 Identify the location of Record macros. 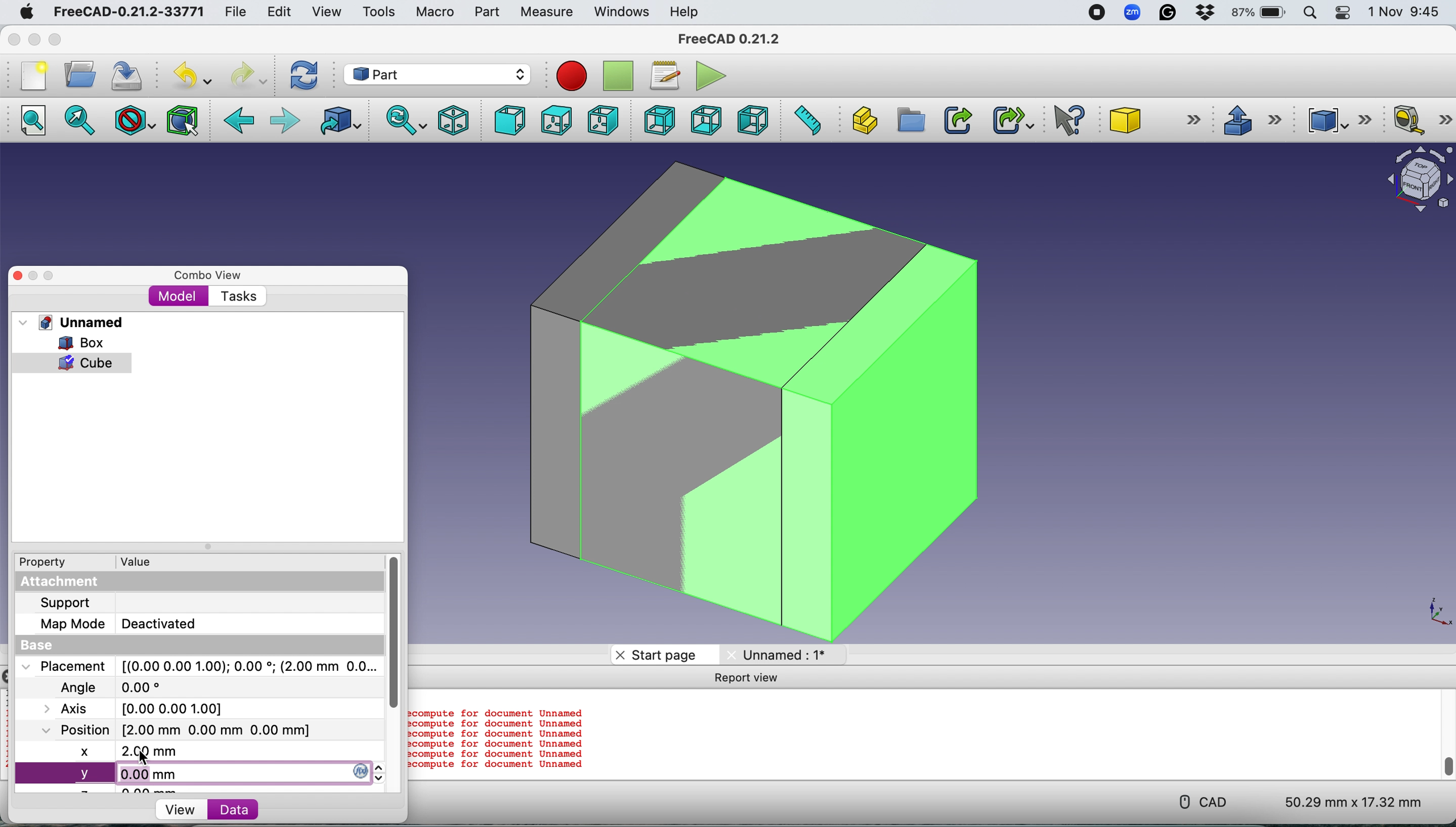
(575, 77).